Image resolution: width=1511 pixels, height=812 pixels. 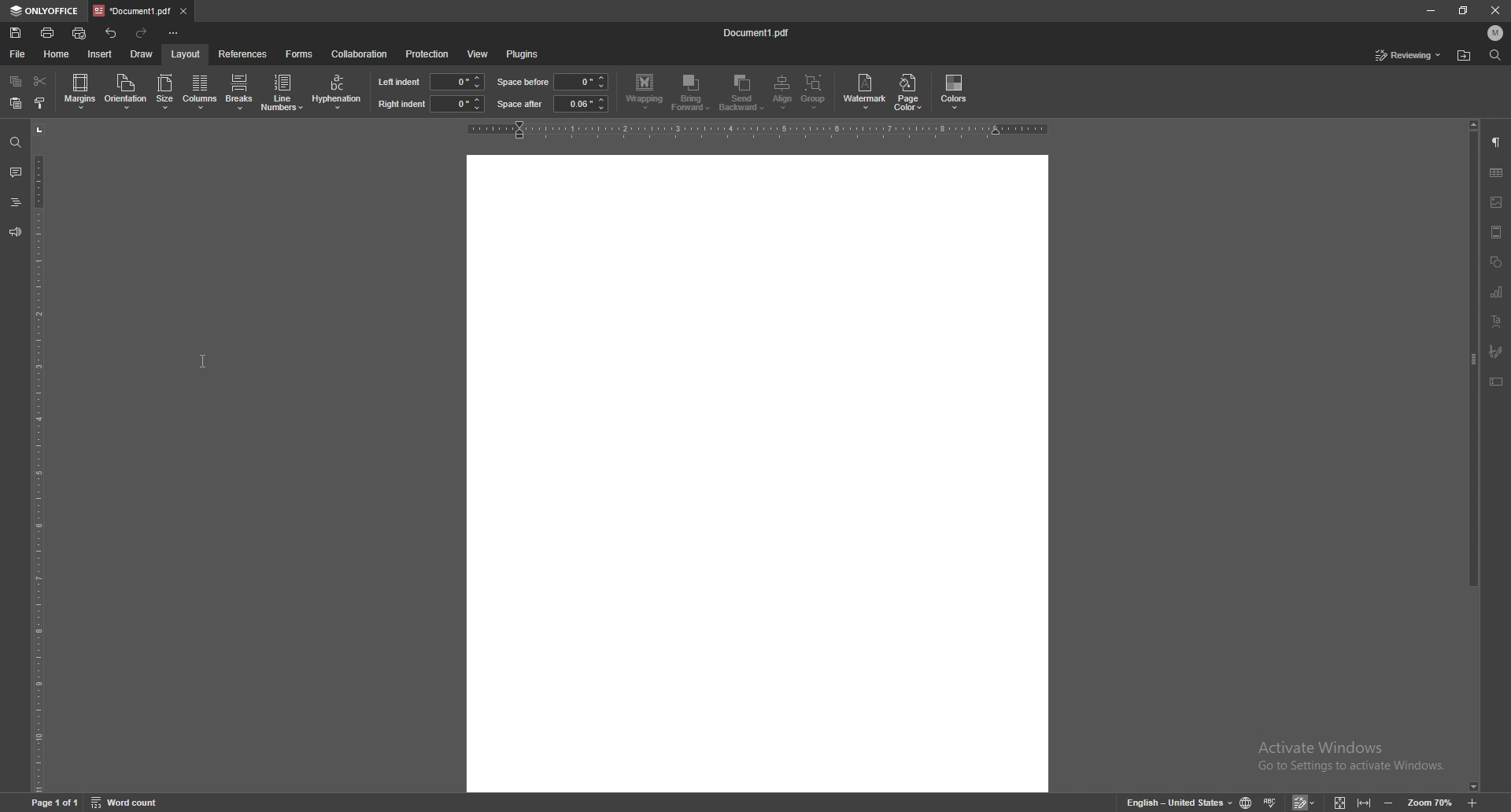 What do you see at coordinates (1475, 801) in the screenshot?
I see `zoom in` at bounding box center [1475, 801].